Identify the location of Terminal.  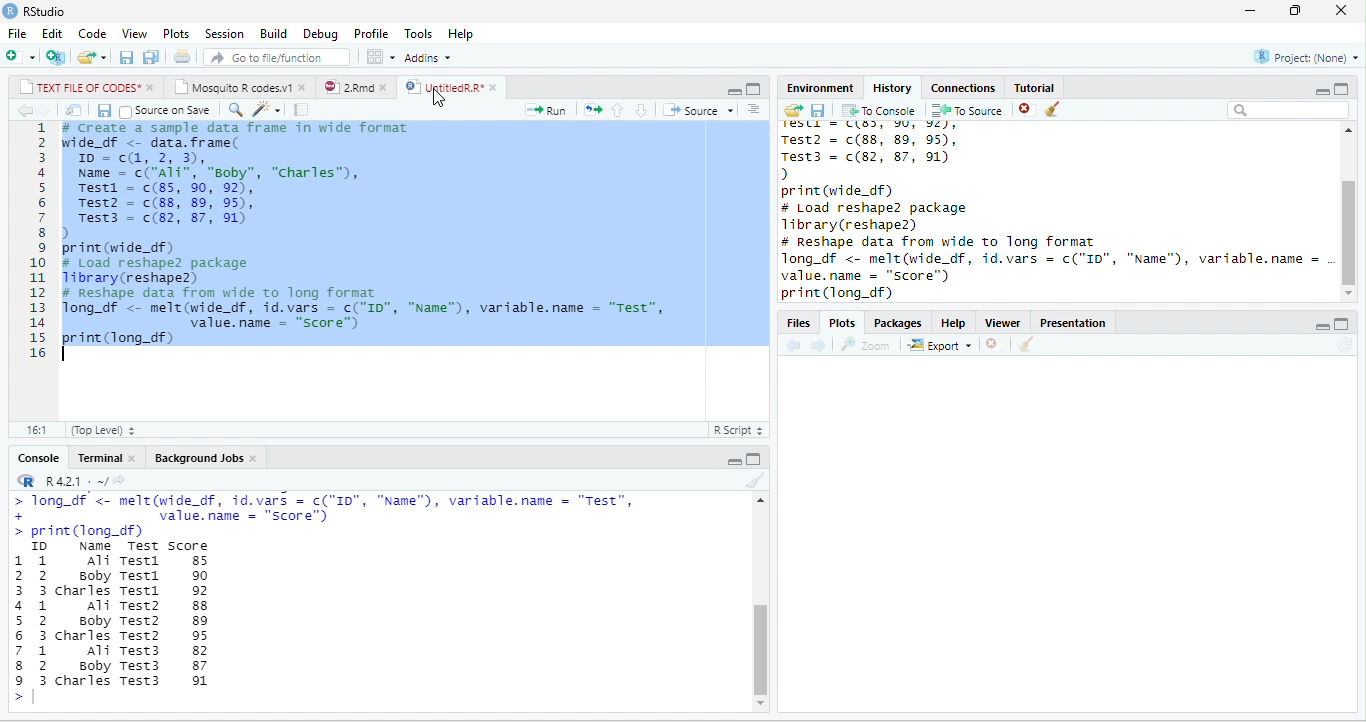
(98, 457).